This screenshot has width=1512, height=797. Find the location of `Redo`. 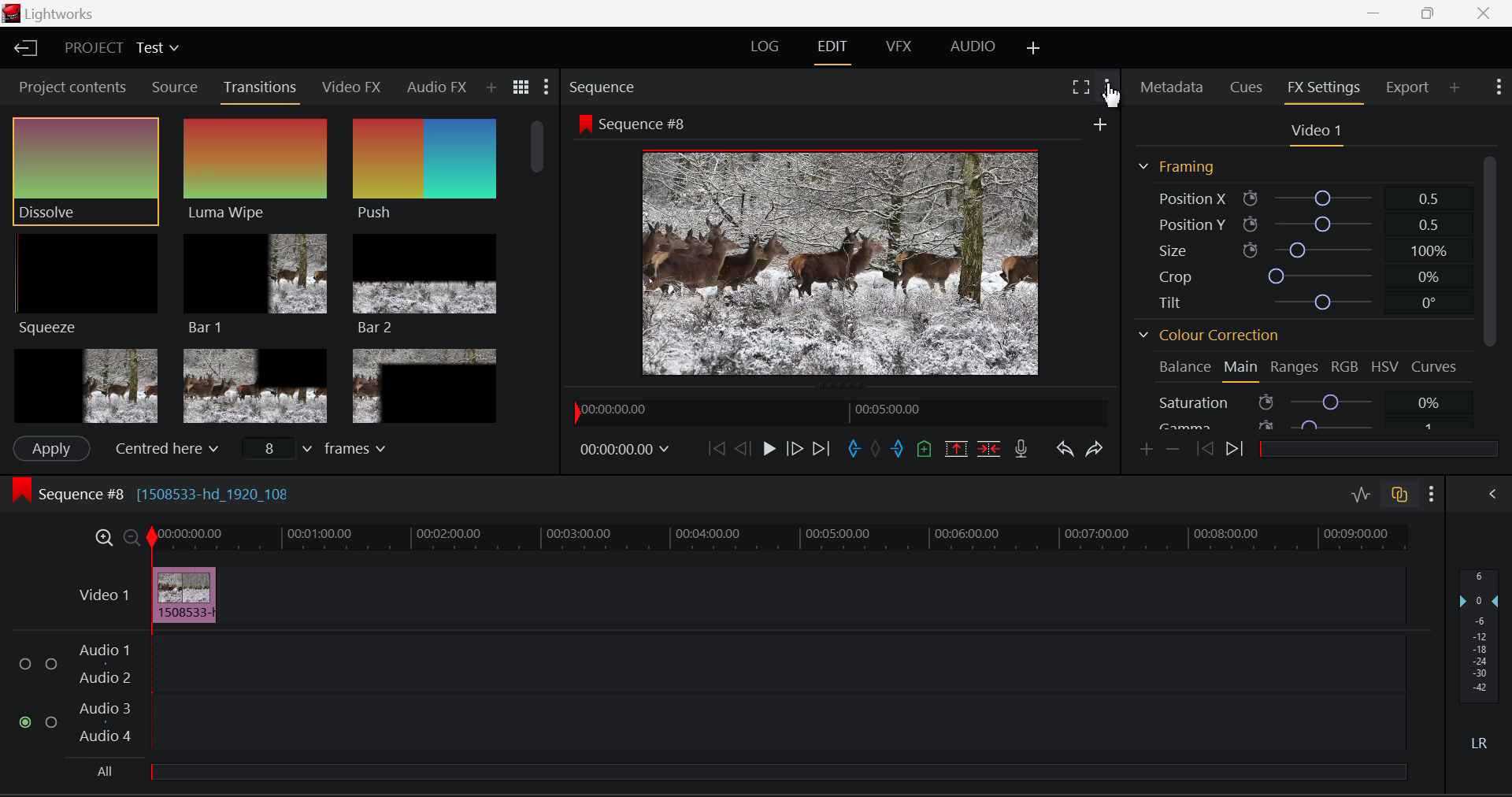

Redo is located at coordinates (1095, 450).